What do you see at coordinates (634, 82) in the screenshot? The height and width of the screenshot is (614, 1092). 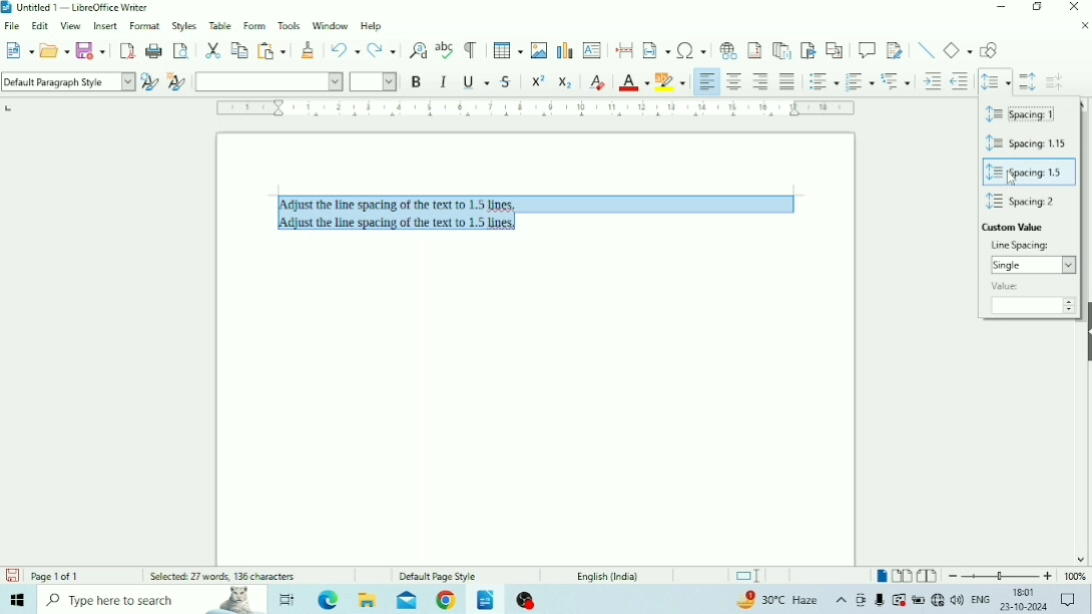 I see `Font Color` at bounding box center [634, 82].